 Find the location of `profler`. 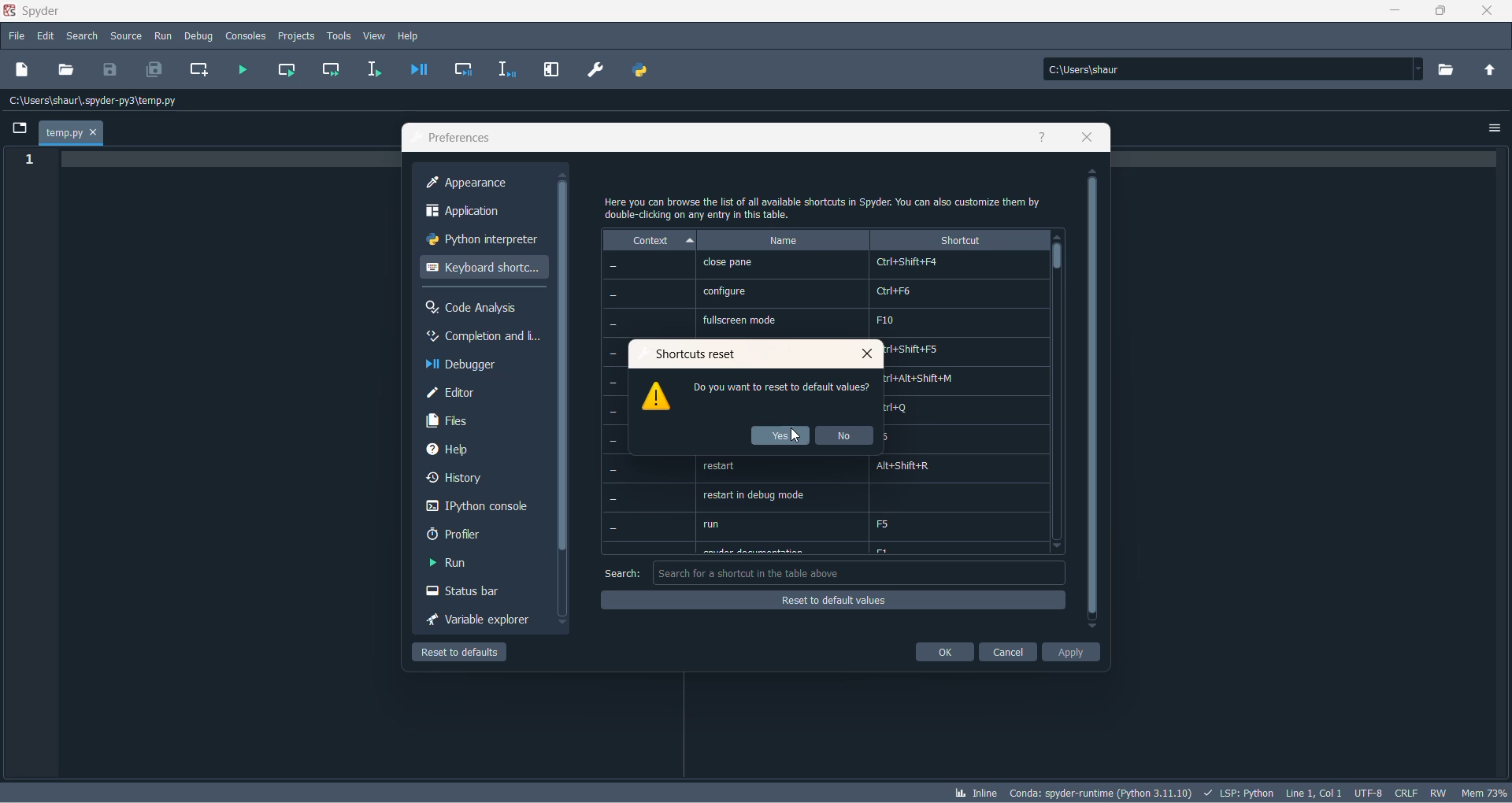

profler is located at coordinates (475, 535).